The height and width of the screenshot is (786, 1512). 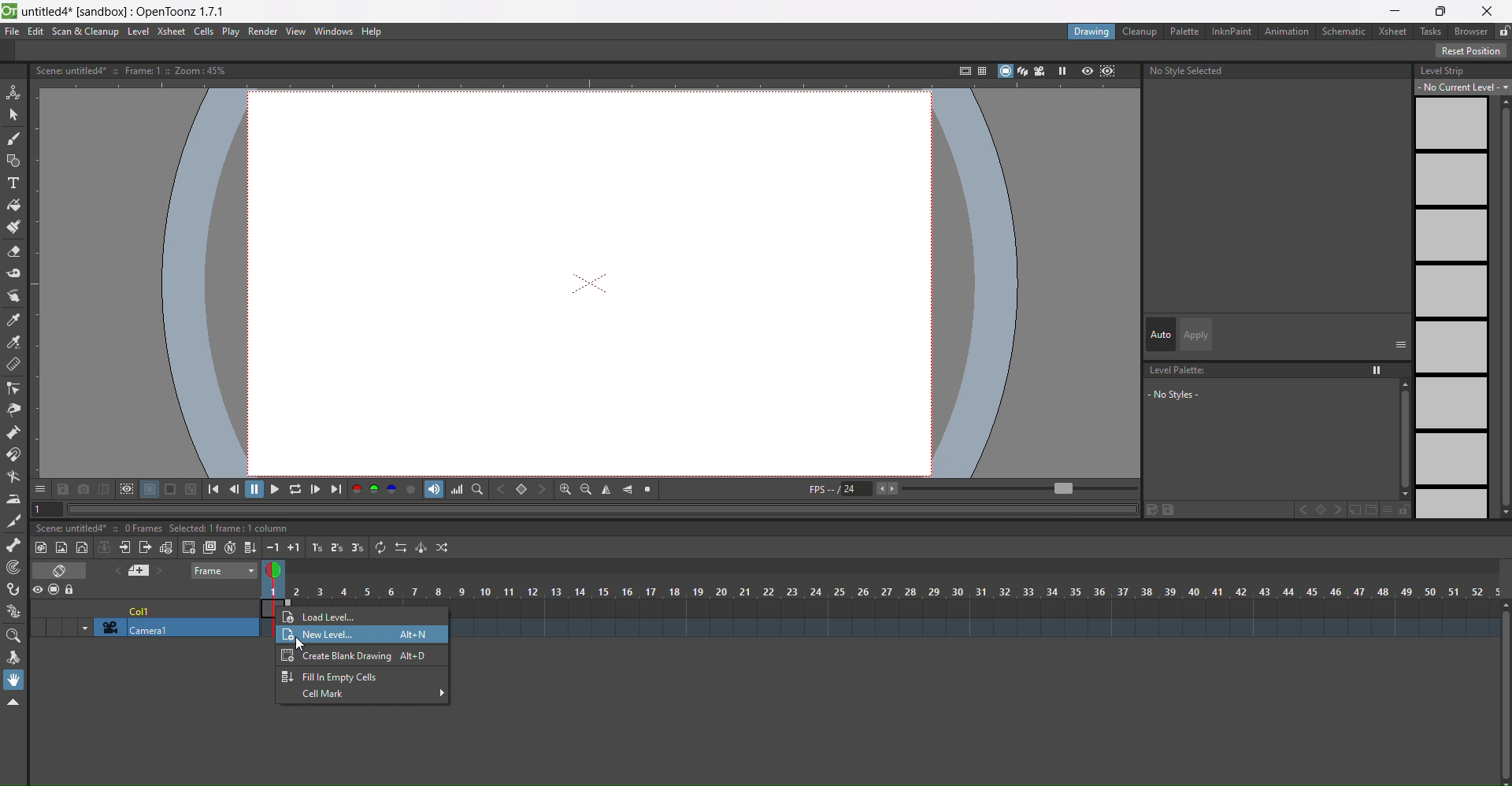 What do you see at coordinates (13, 139) in the screenshot?
I see `brush tool` at bounding box center [13, 139].